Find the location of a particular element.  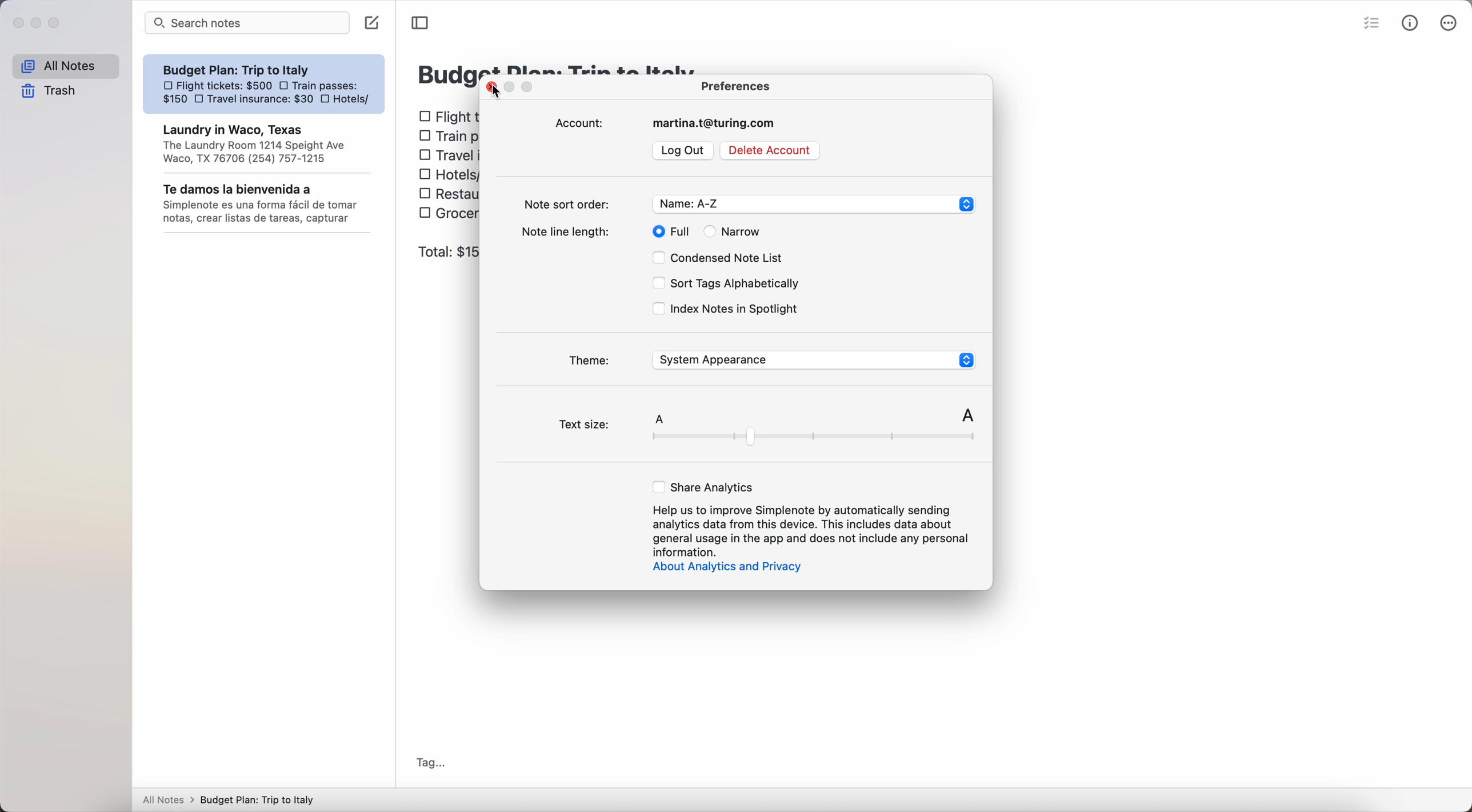

toggle sidenote is located at coordinates (419, 23).